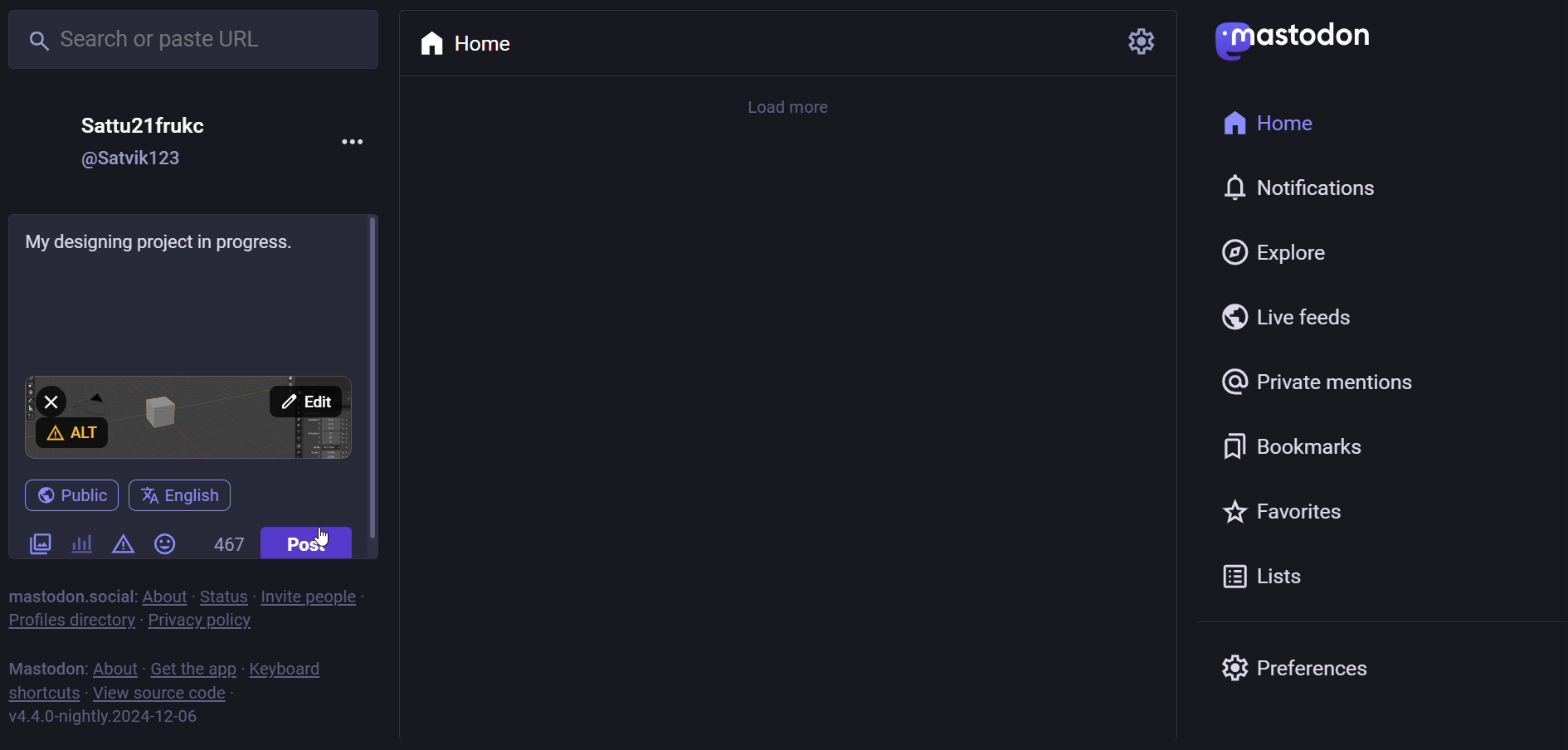 The height and width of the screenshot is (750, 1568). I want to click on load more, so click(791, 110).